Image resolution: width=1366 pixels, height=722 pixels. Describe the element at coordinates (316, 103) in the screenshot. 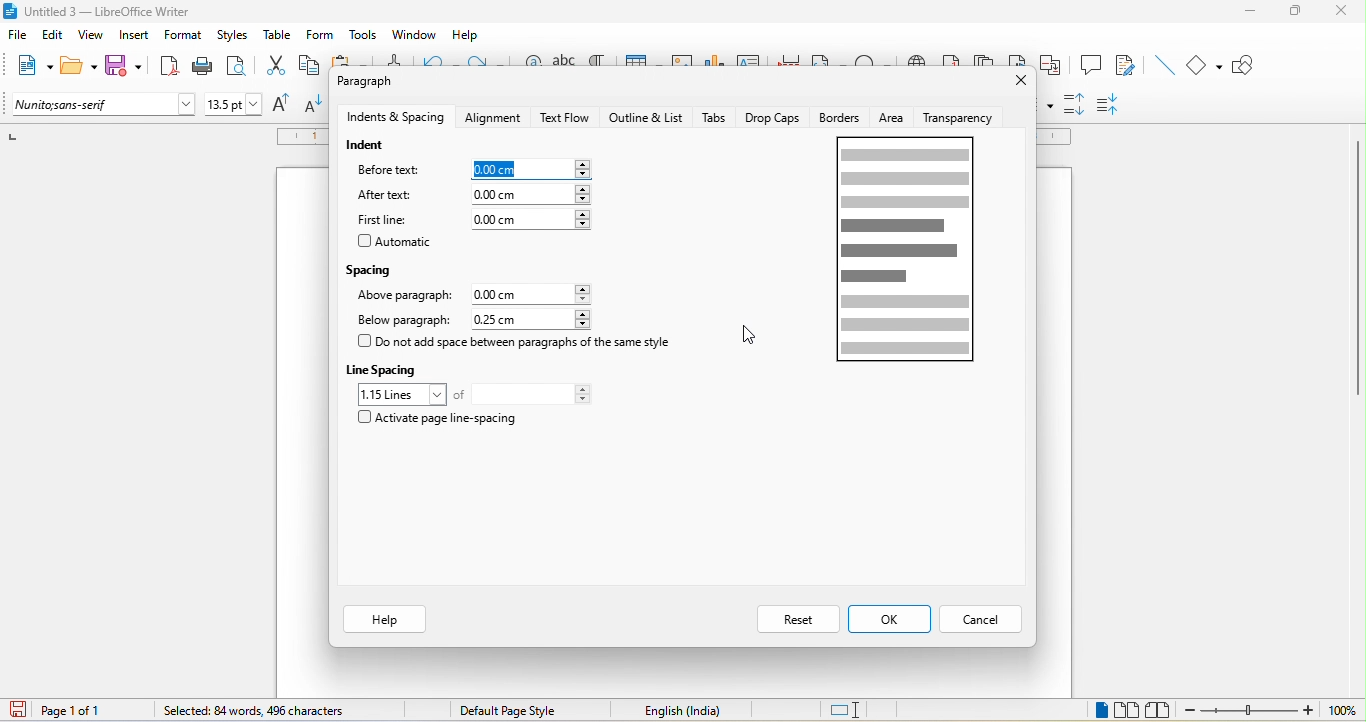

I see `decrease size` at that location.